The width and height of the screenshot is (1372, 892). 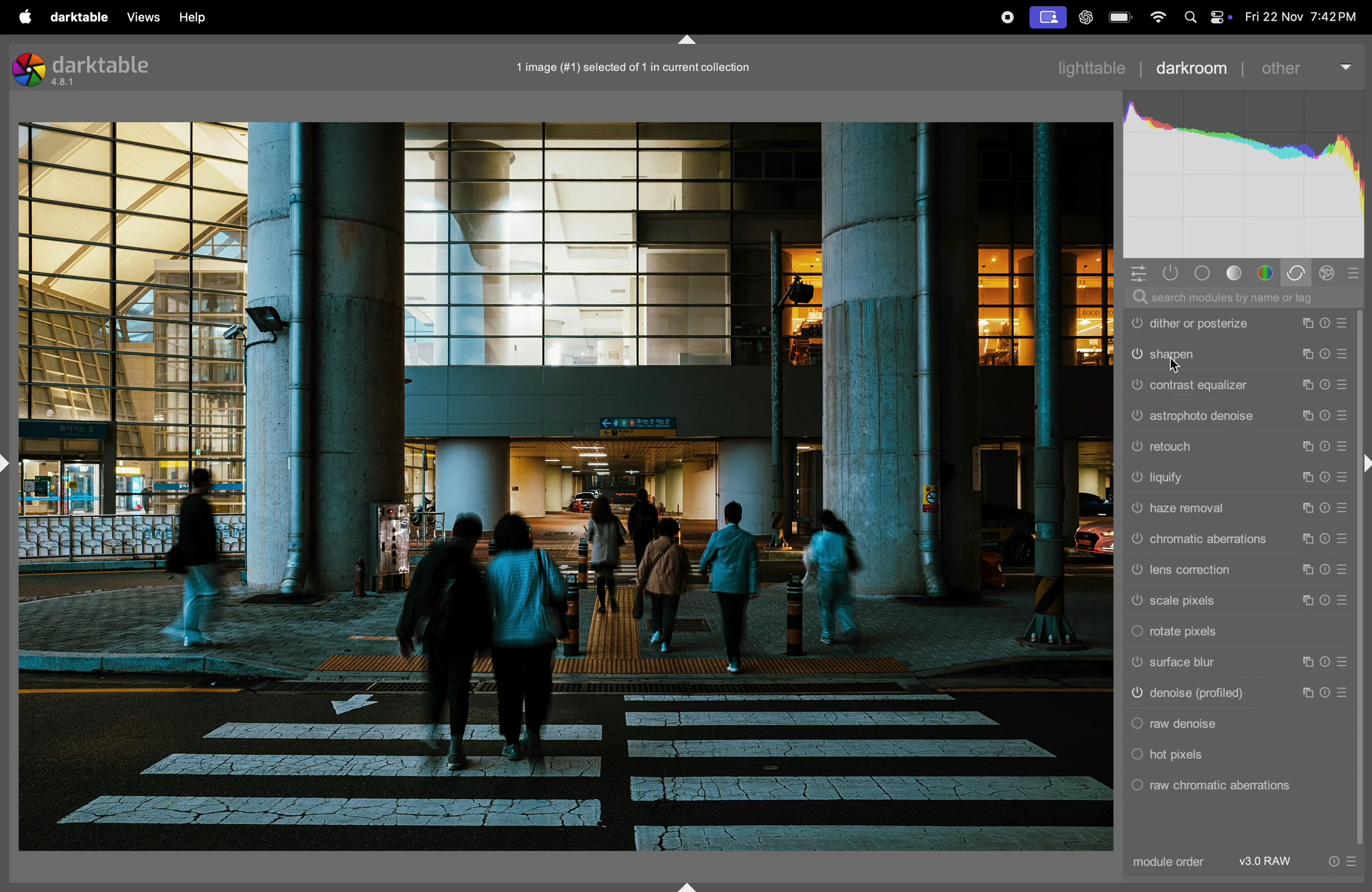 What do you see at coordinates (1238, 602) in the screenshot?
I see `scale pixels` at bounding box center [1238, 602].